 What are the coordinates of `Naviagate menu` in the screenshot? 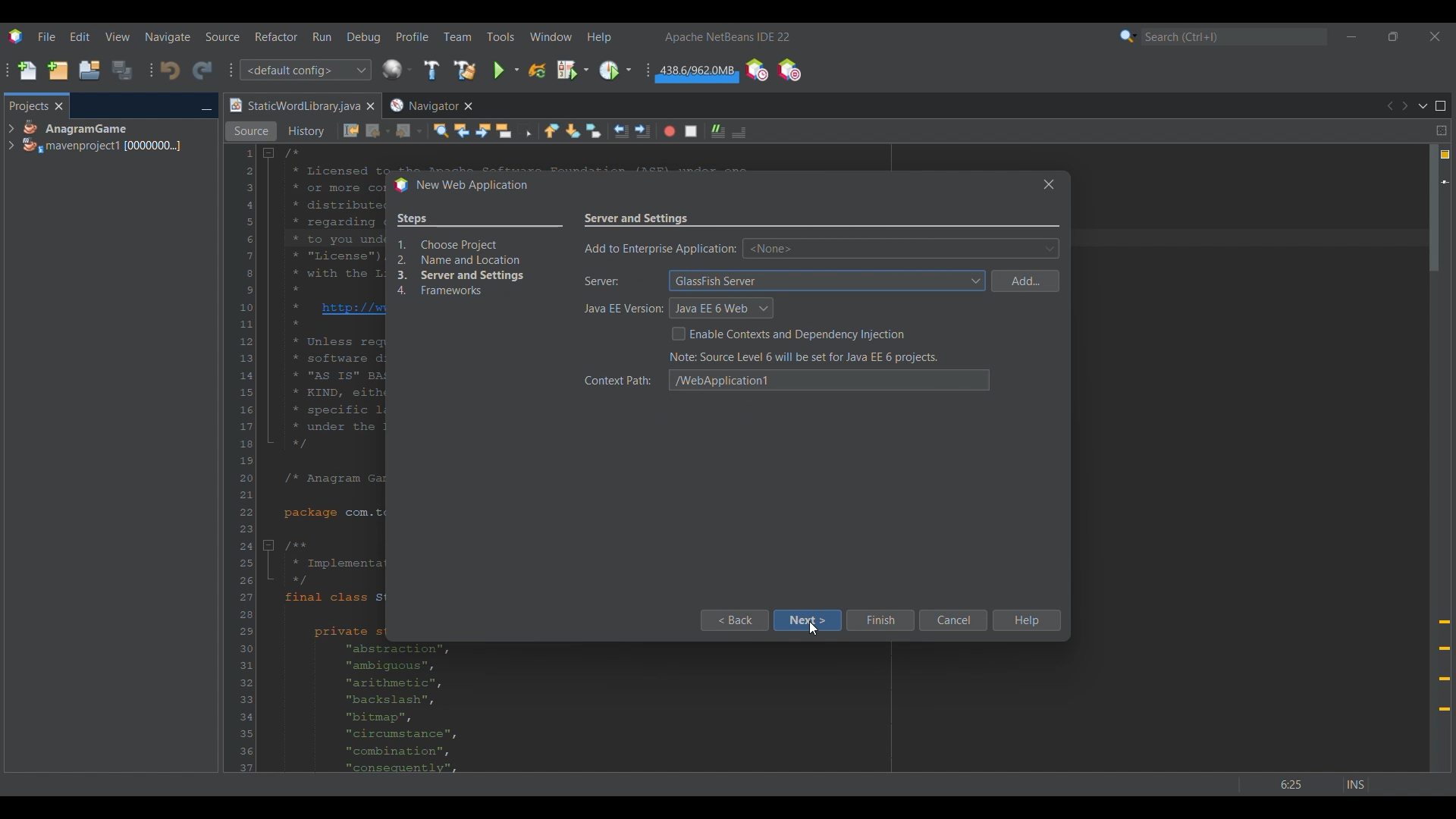 It's located at (168, 37).